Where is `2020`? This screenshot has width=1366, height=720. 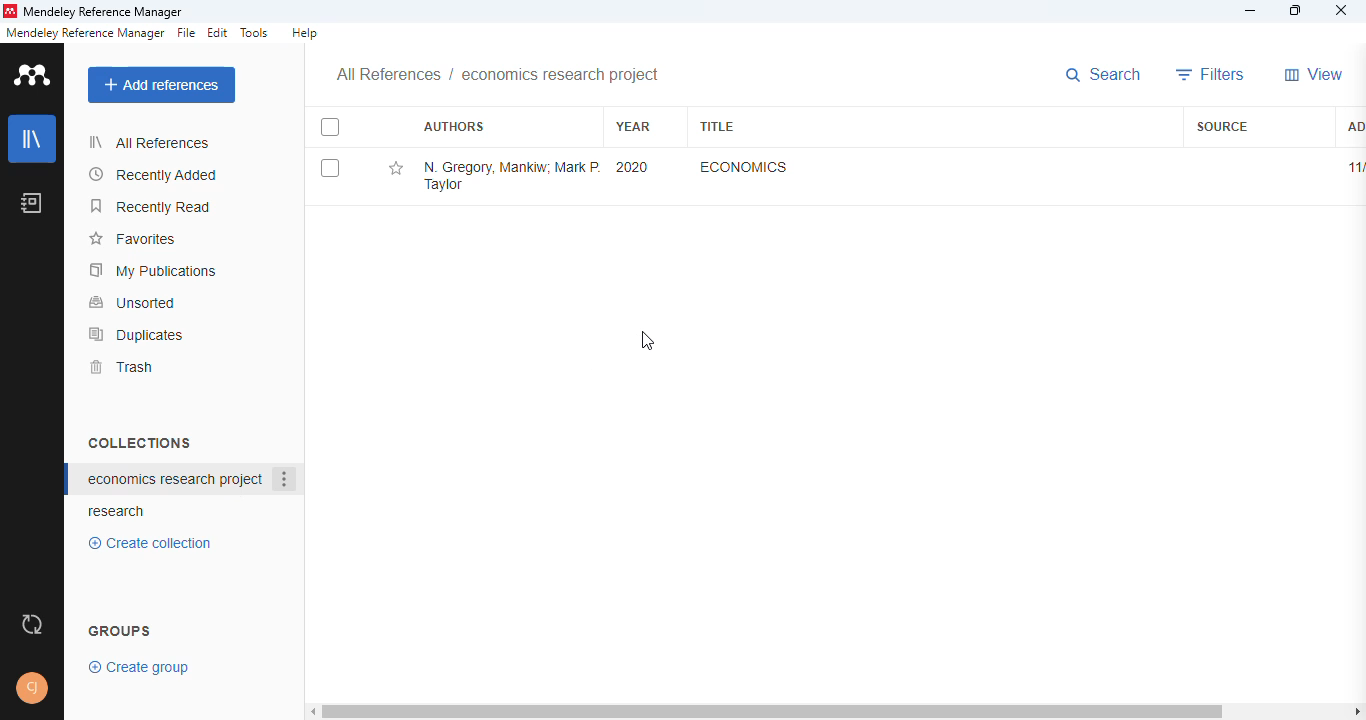
2020 is located at coordinates (633, 167).